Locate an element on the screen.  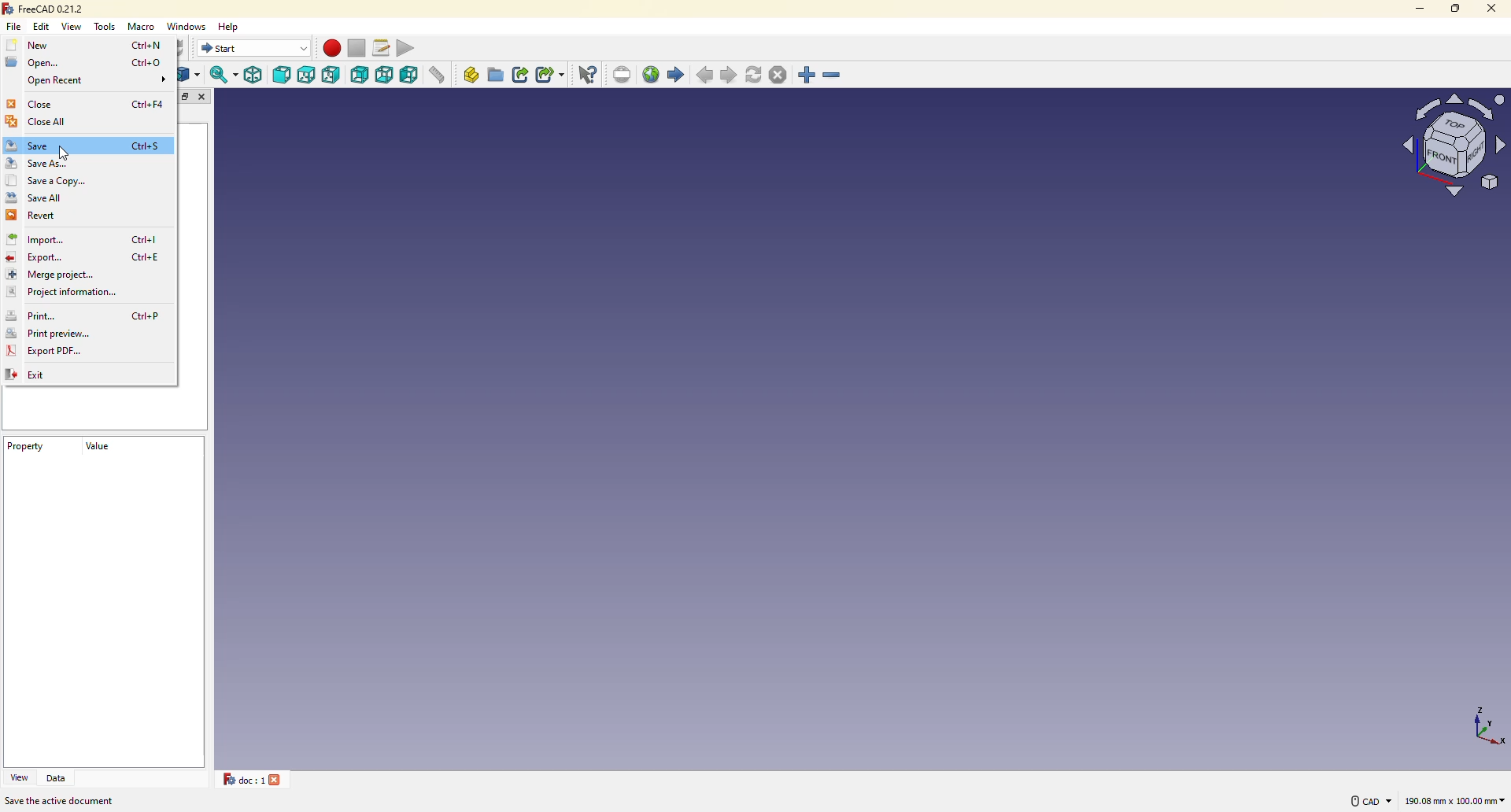
macros is located at coordinates (382, 46).